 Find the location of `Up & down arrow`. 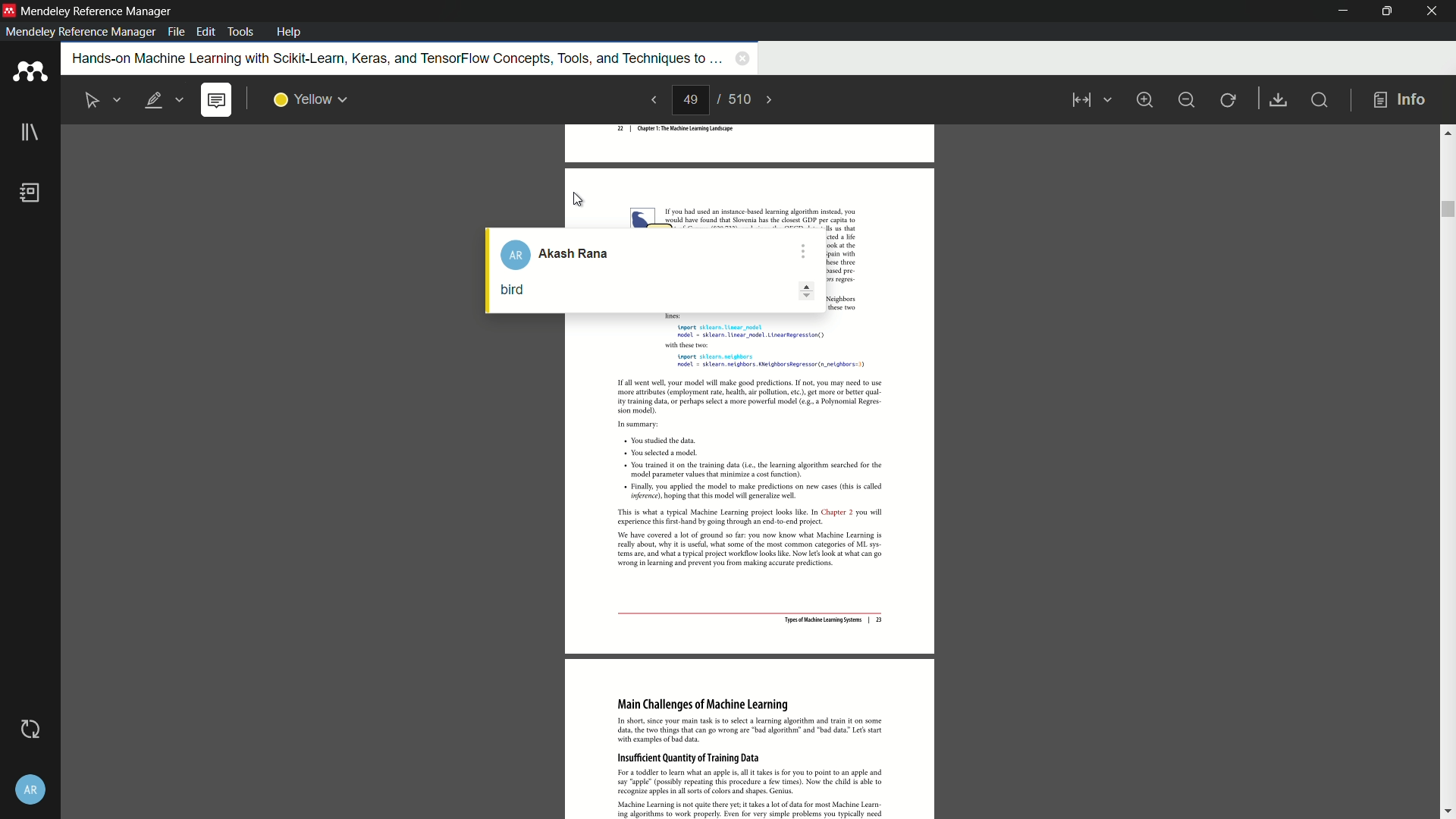

Up & down arrow is located at coordinates (799, 293).